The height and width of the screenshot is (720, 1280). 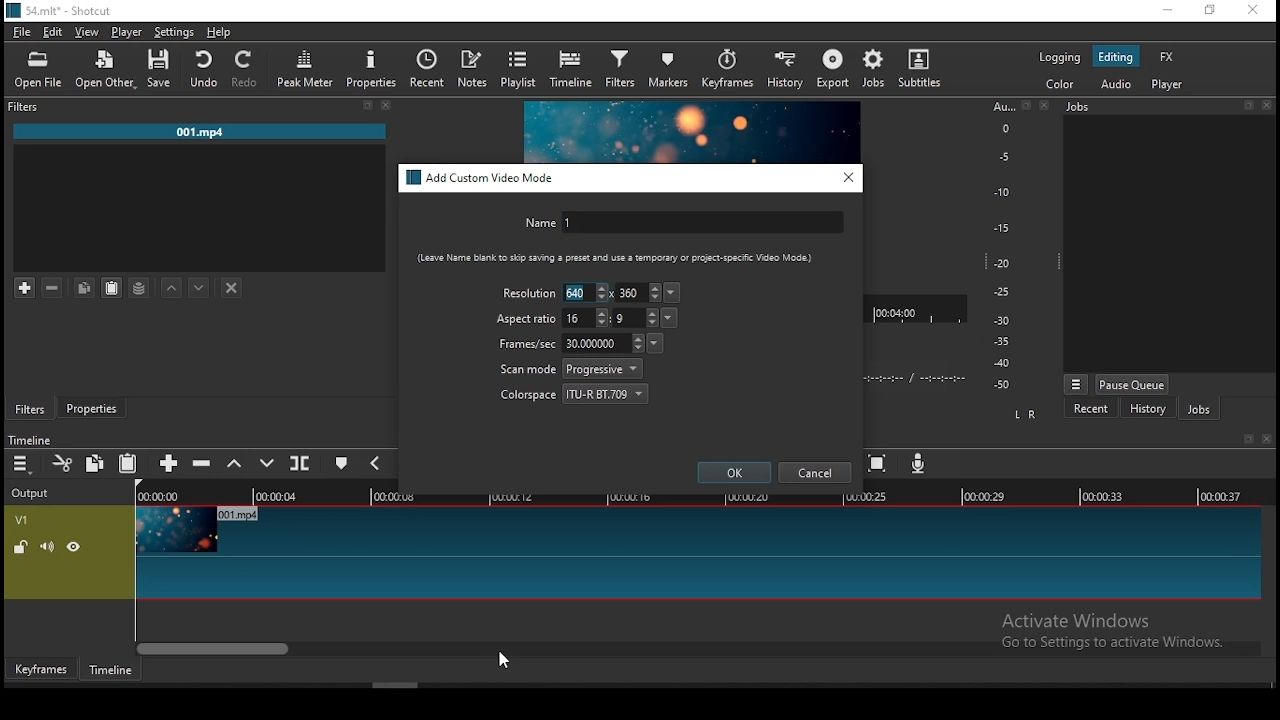 What do you see at coordinates (1002, 155) in the screenshot?
I see `-5` at bounding box center [1002, 155].